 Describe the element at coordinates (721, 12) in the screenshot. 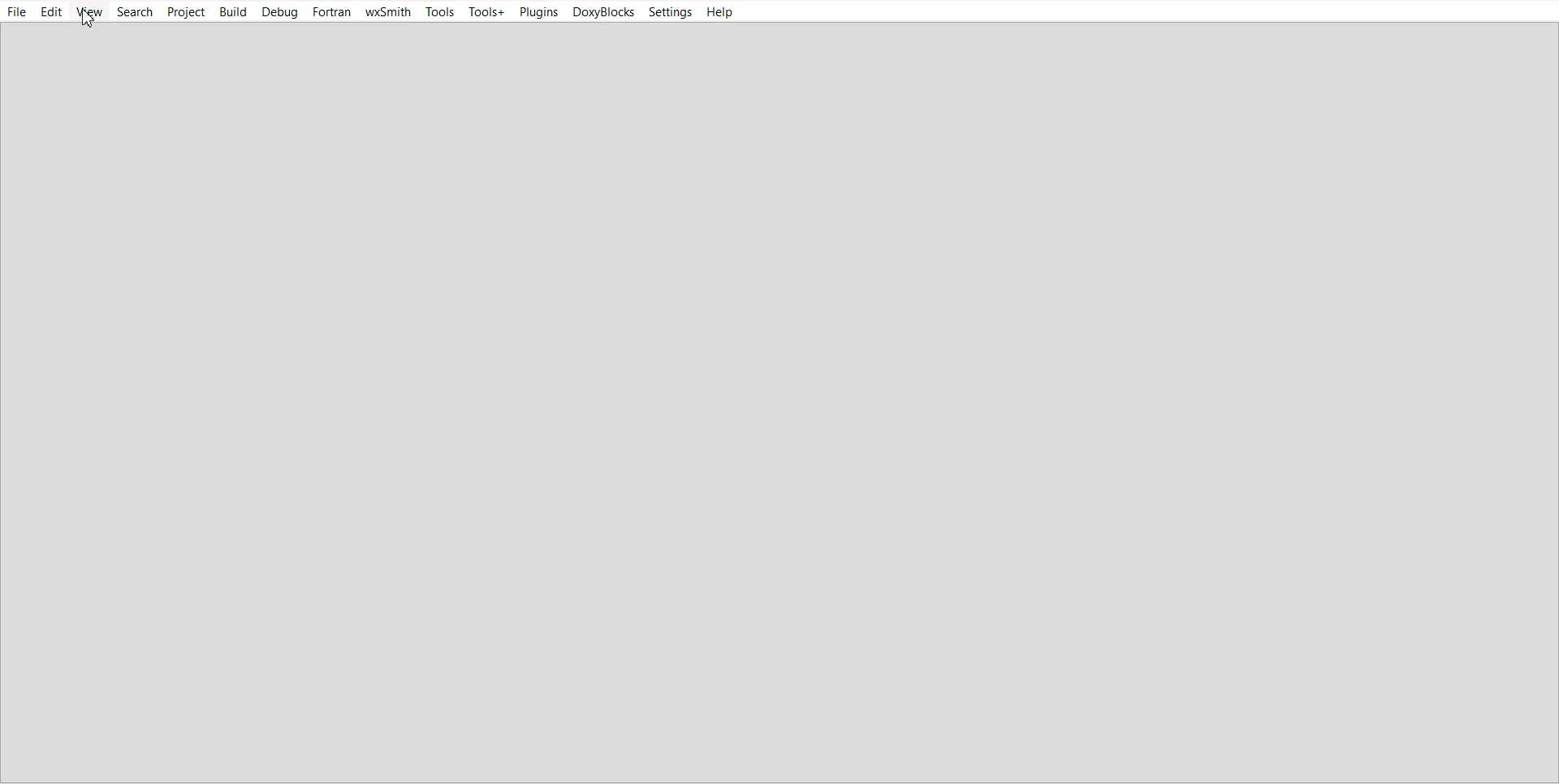

I see `Help` at that location.